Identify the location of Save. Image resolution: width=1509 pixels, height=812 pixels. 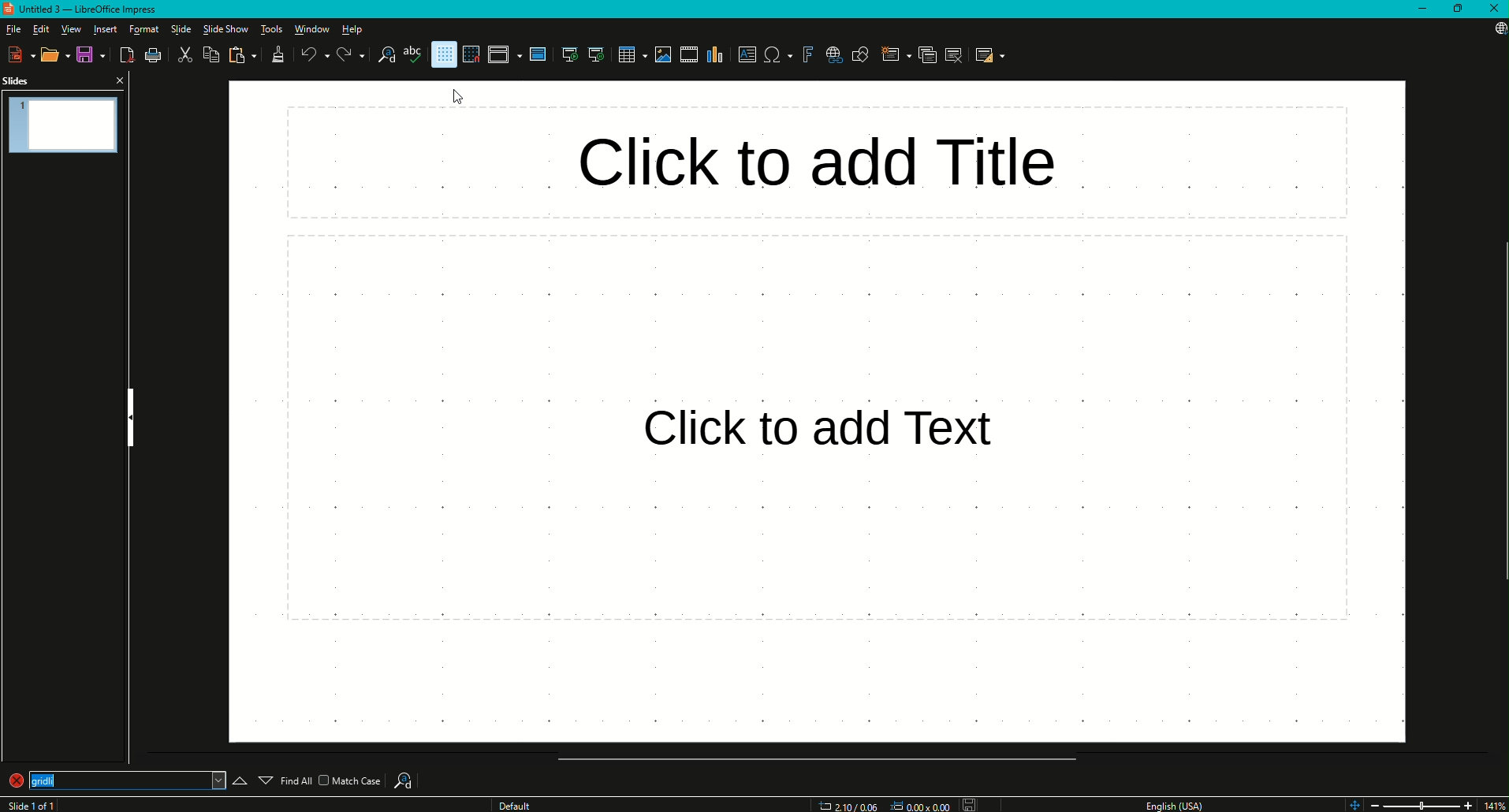
(88, 54).